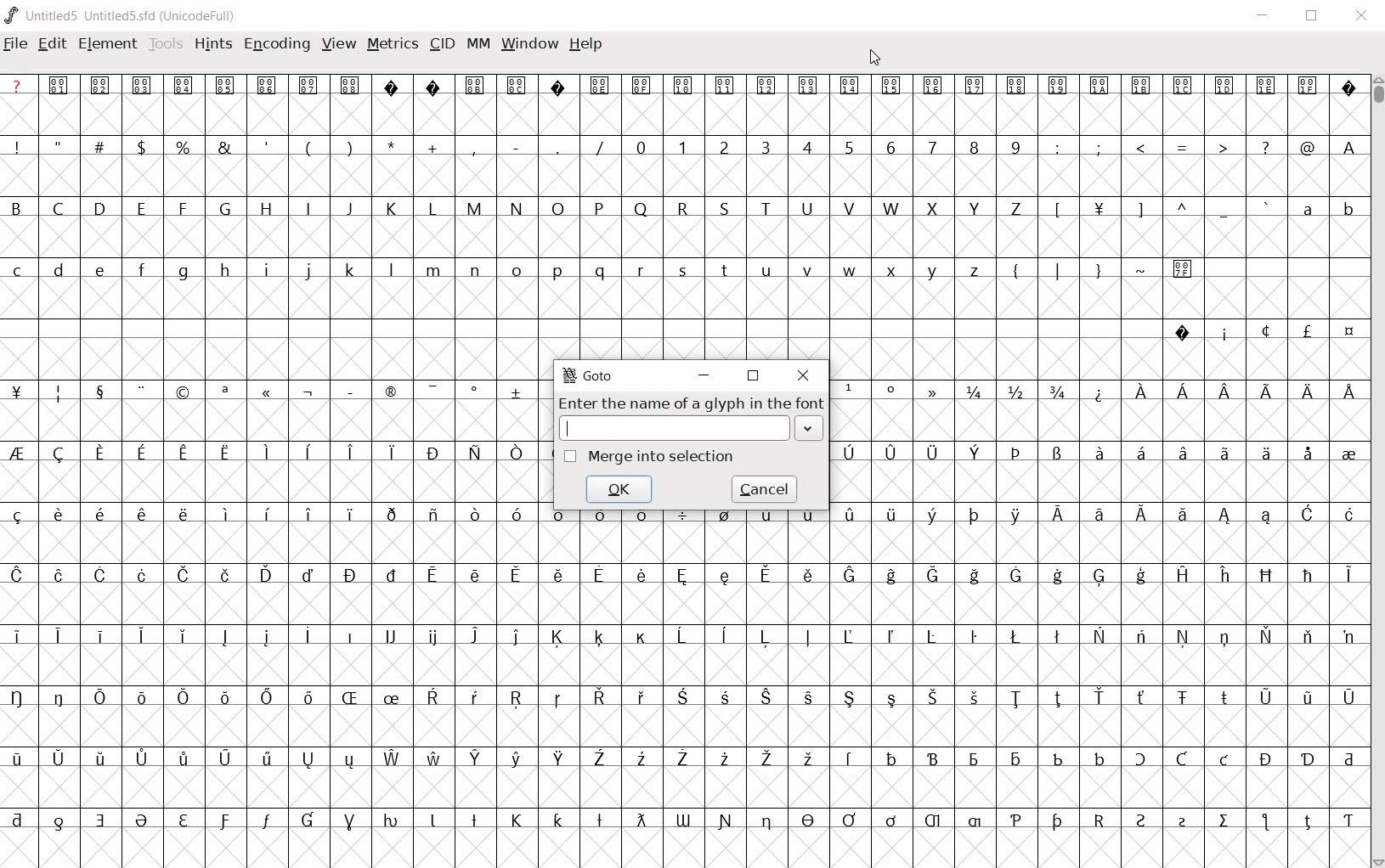 Image resolution: width=1385 pixels, height=868 pixels. What do you see at coordinates (1348, 453) in the screenshot?
I see `Symbol` at bounding box center [1348, 453].